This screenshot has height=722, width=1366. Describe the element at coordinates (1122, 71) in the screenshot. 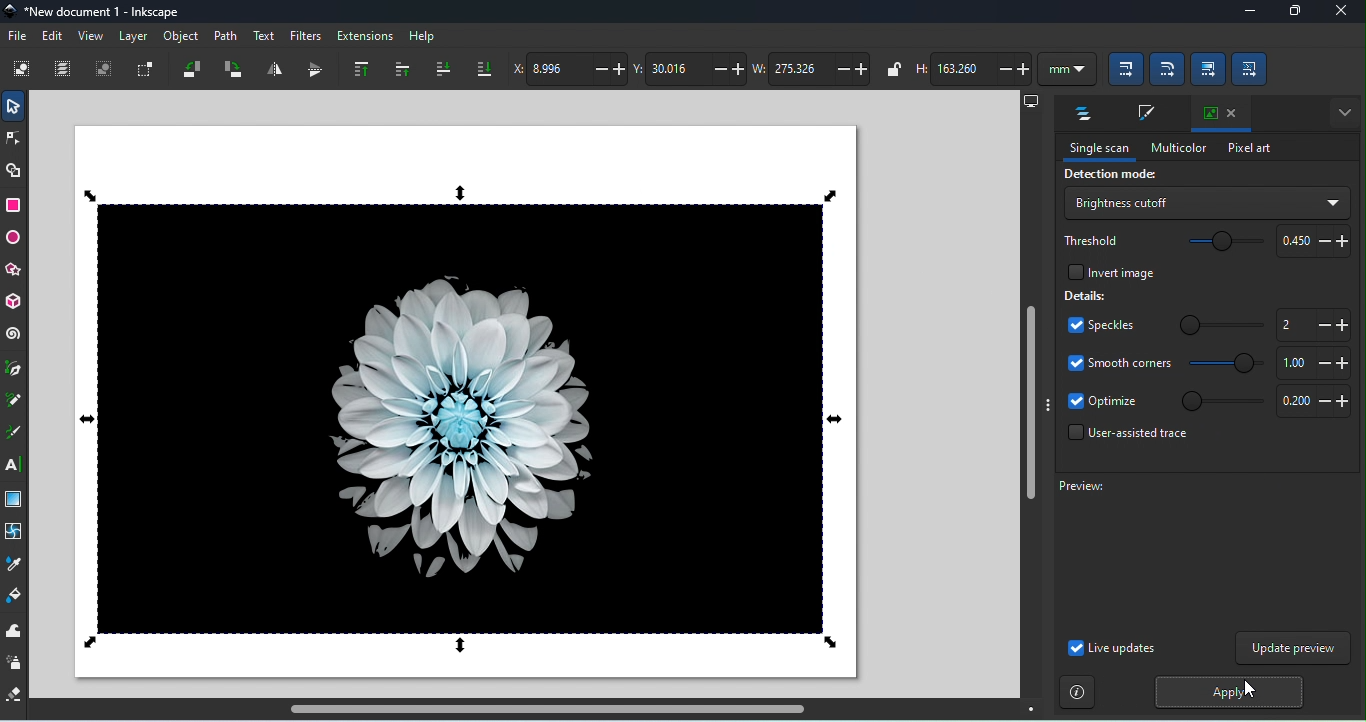

I see `When scaling objects, scale the stroke width by same proportion` at that location.